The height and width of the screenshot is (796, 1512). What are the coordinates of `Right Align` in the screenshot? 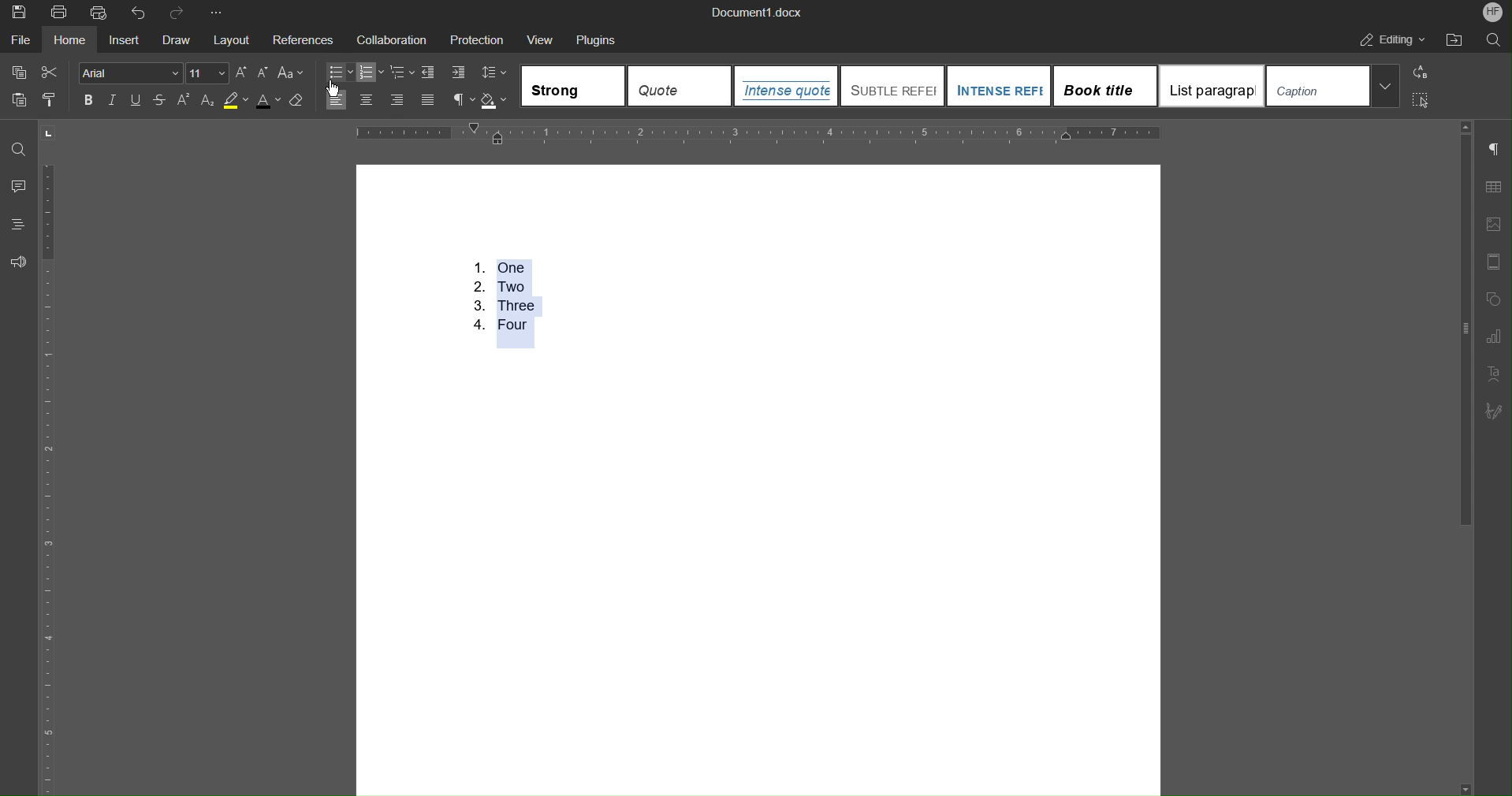 It's located at (397, 101).